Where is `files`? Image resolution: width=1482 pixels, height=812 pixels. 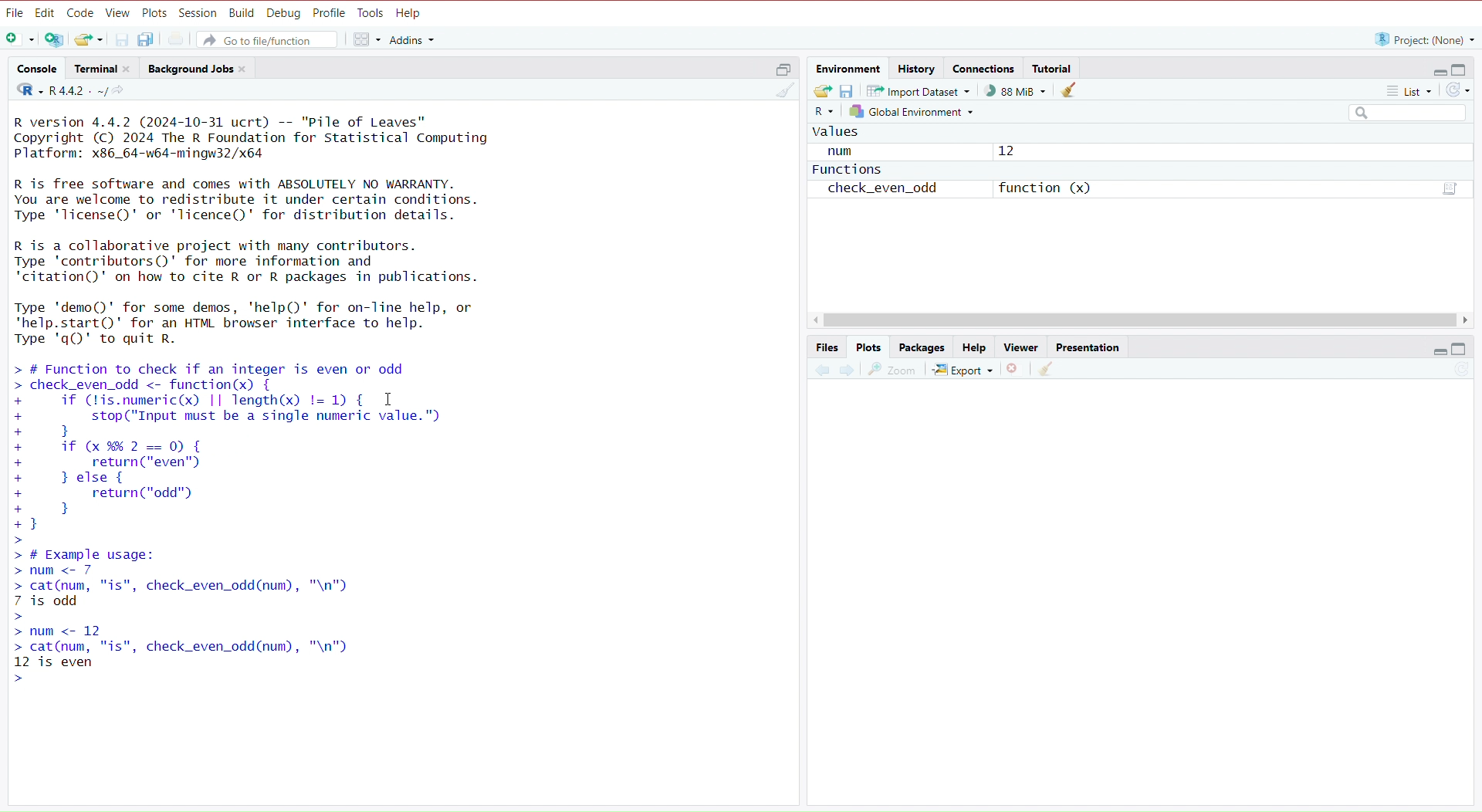
files is located at coordinates (827, 347).